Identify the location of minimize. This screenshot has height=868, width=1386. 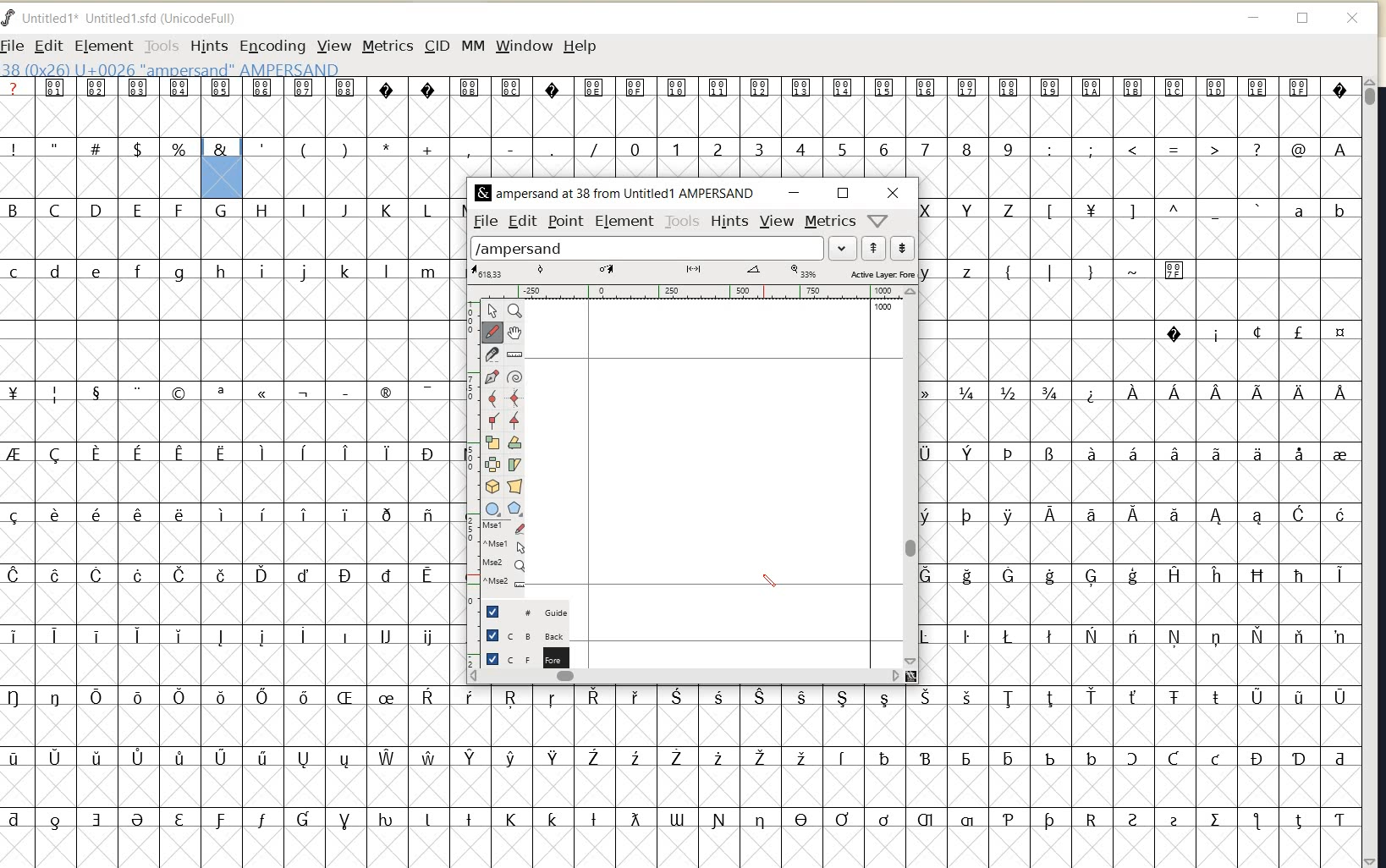
(1251, 19).